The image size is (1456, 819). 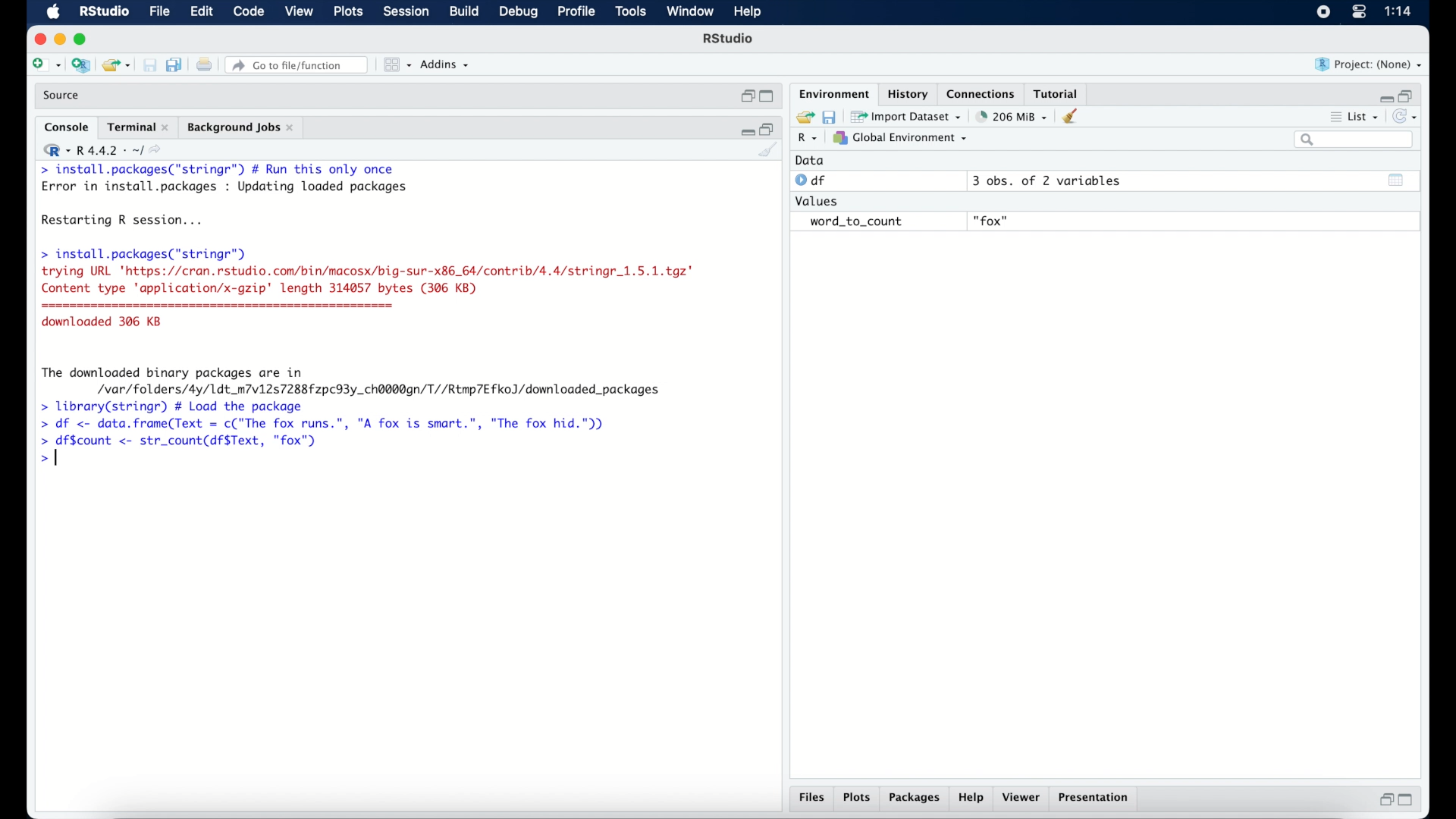 I want to click on import dataset, so click(x=906, y=117).